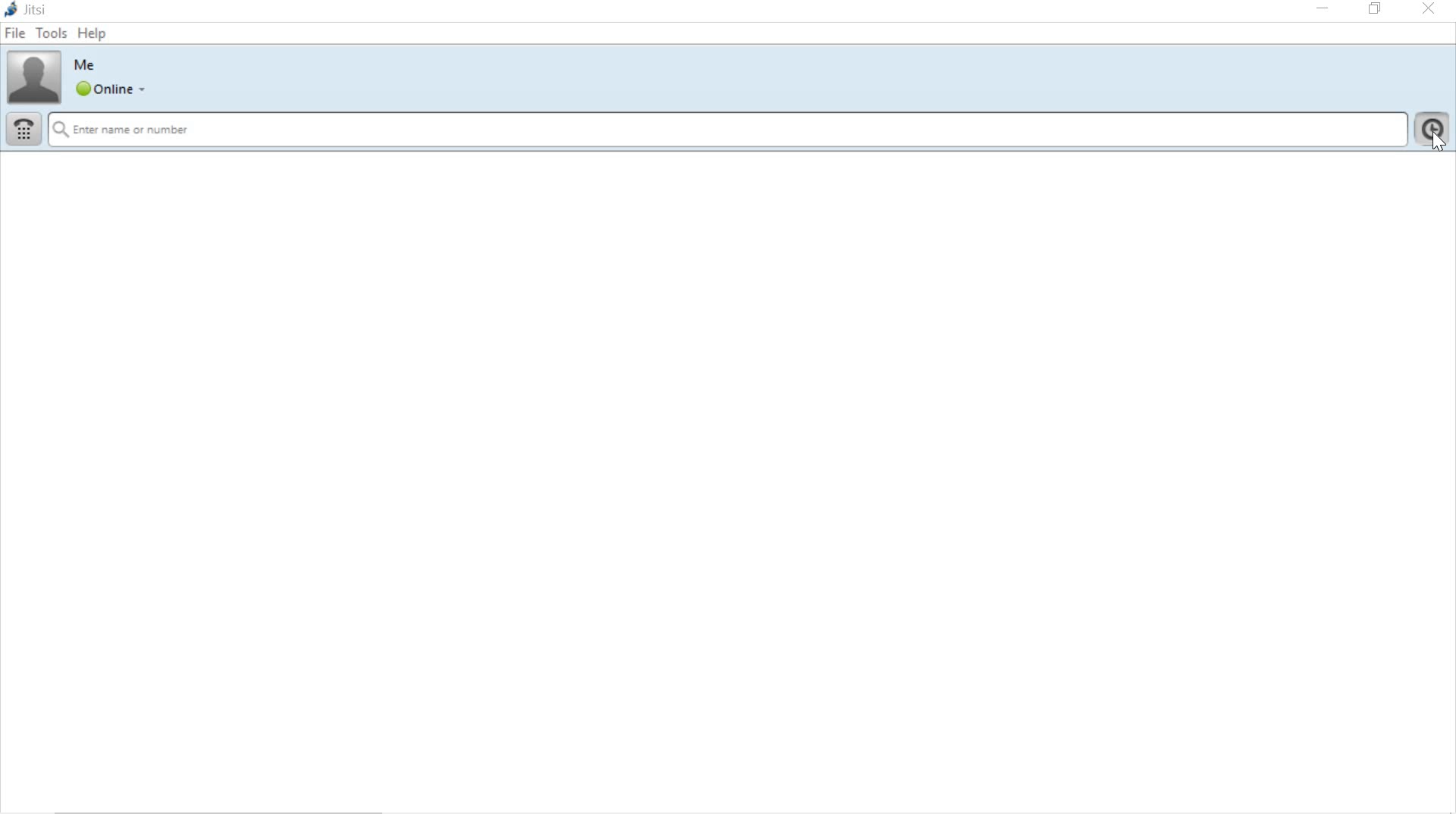 The width and height of the screenshot is (1456, 814). What do you see at coordinates (113, 90) in the screenshot?
I see `global status` at bounding box center [113, 90].